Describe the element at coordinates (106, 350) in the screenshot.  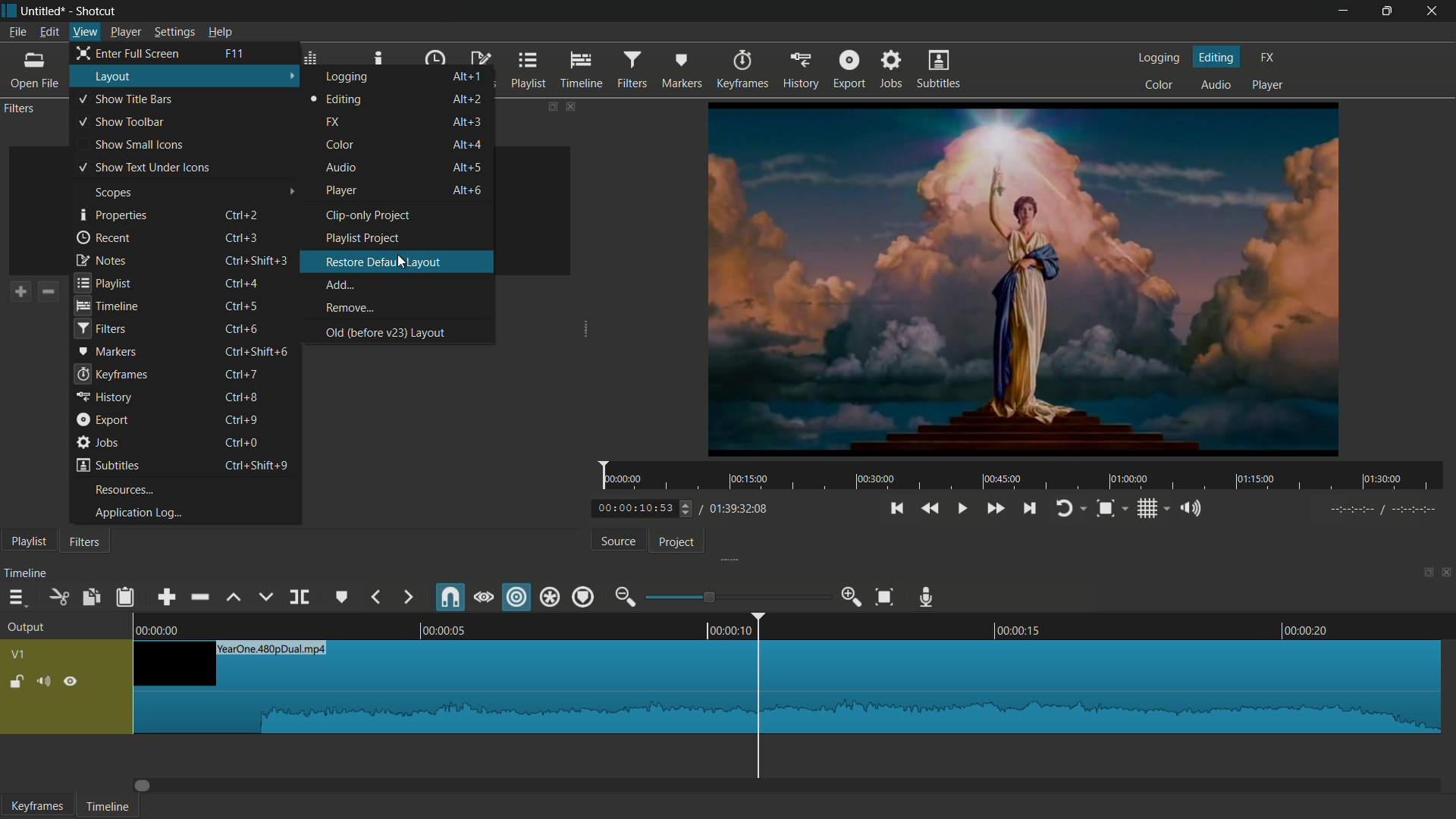
I see `markers` at that location.